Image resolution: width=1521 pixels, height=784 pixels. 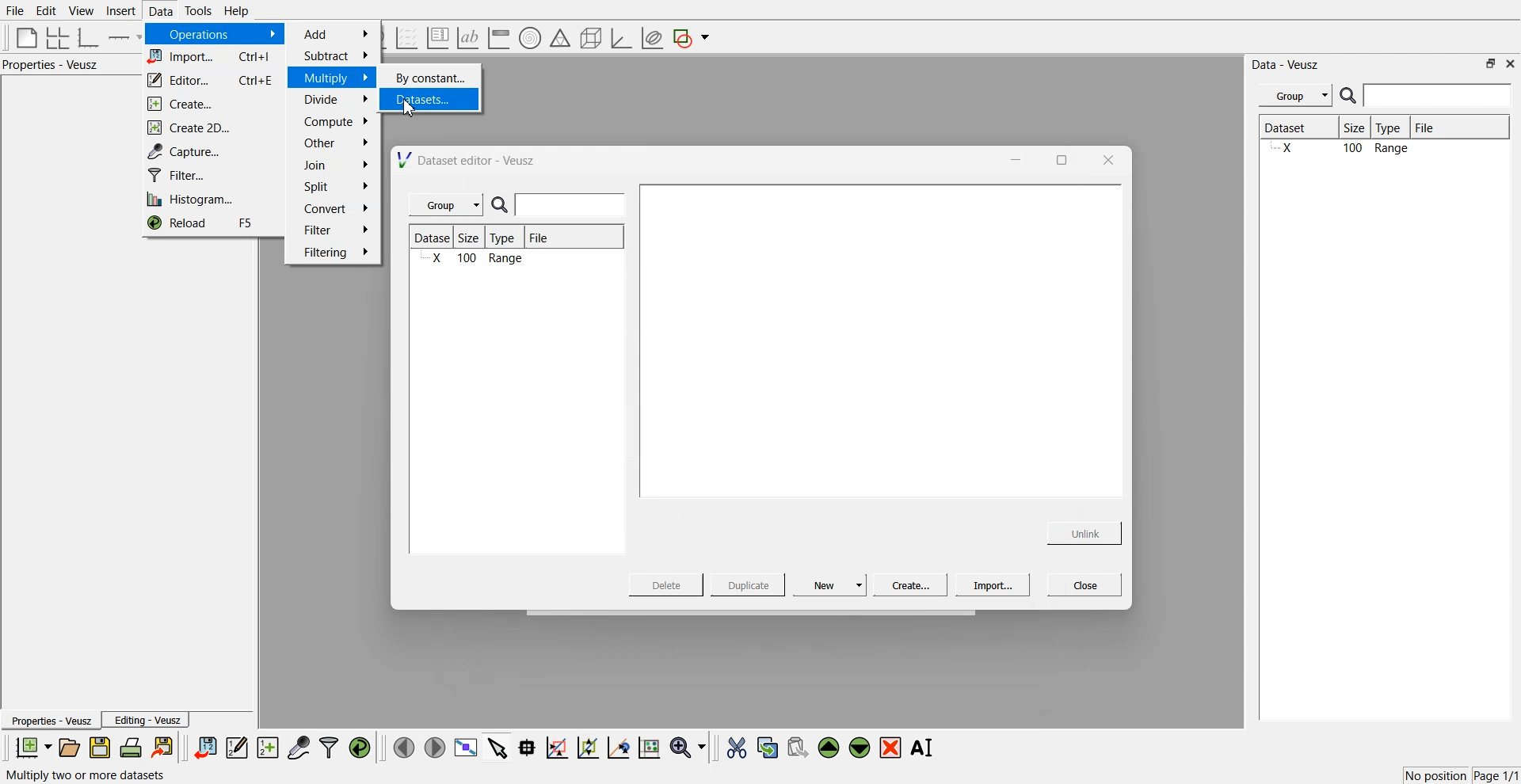 What do you see at coordinates (164, 747) in the screenshot?
I see `export` at bounding box center [164, 747].